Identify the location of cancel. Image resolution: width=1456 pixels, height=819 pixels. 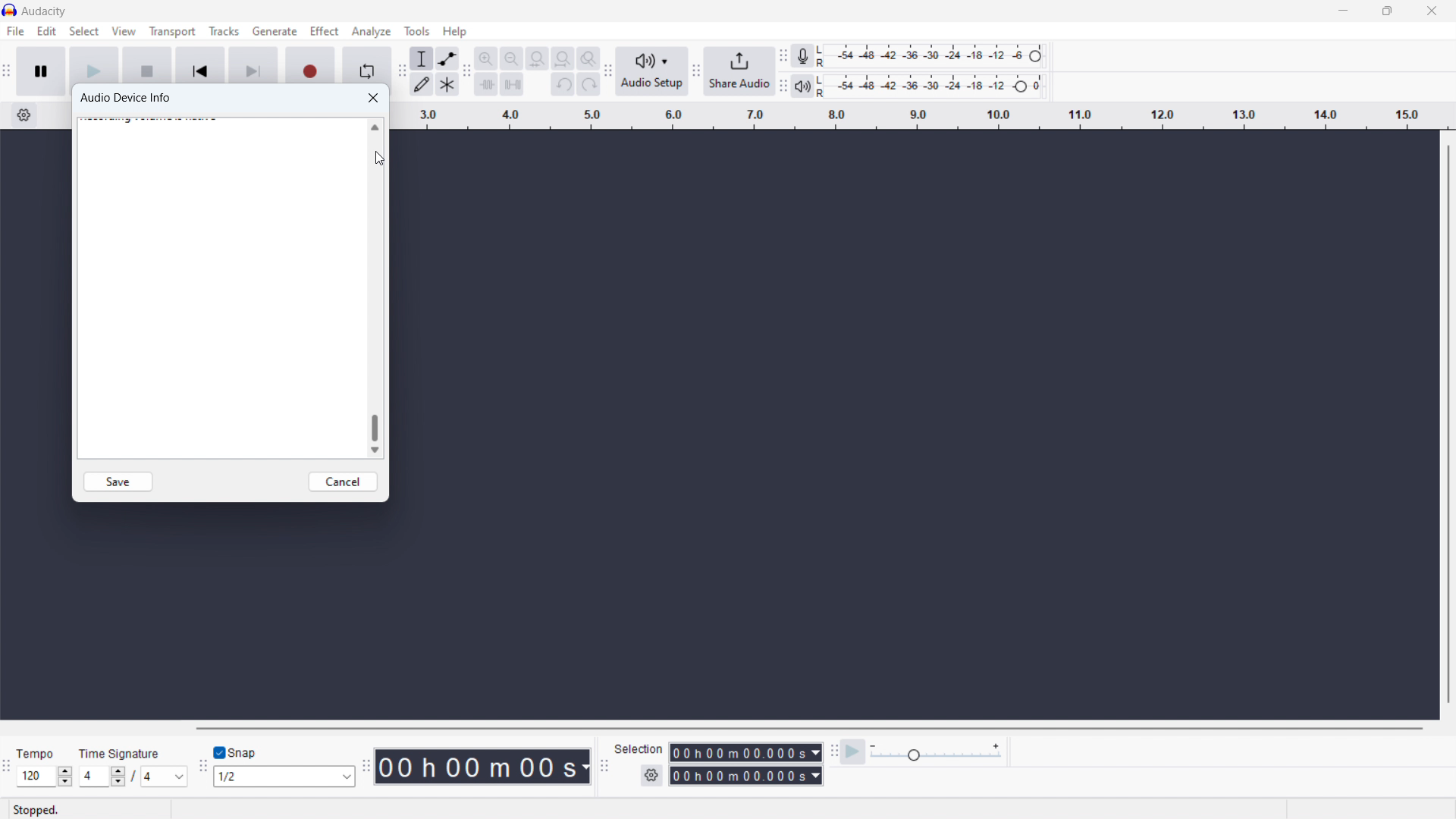
(344, 482).